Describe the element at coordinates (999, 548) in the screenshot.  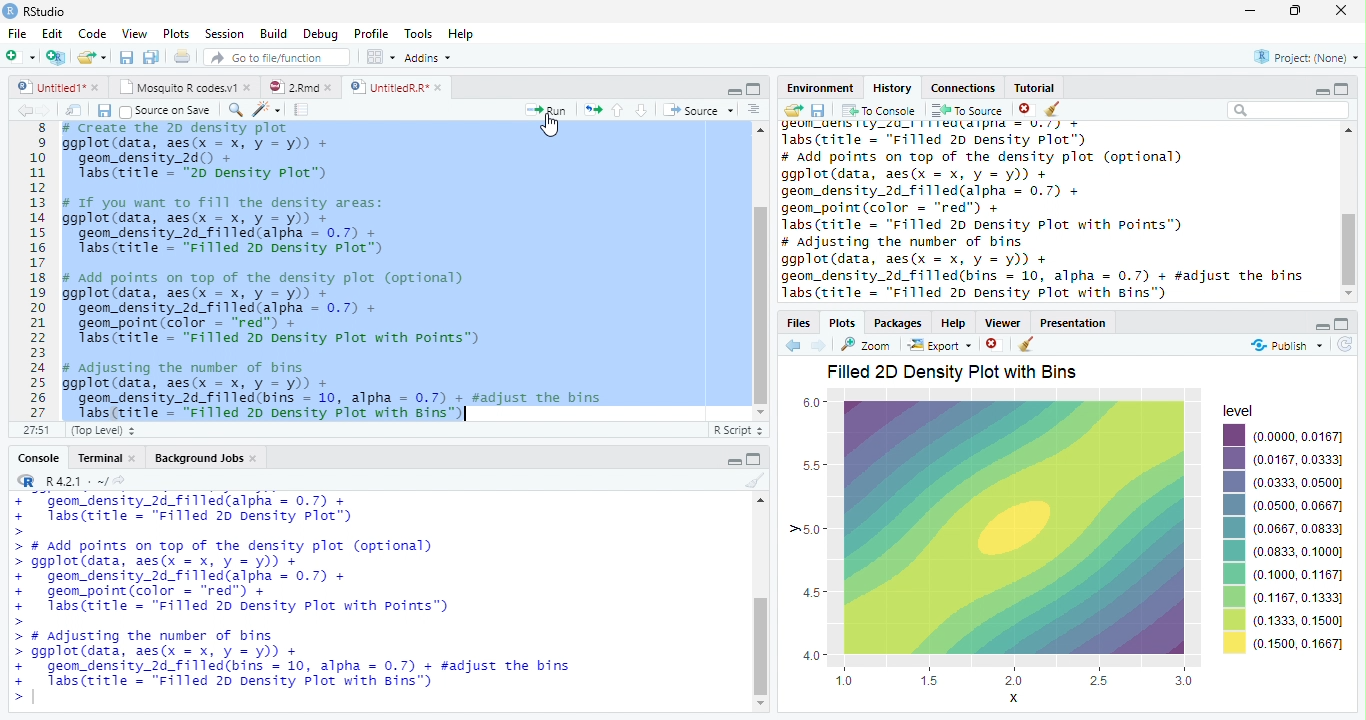
I see `Graph image` at that location.